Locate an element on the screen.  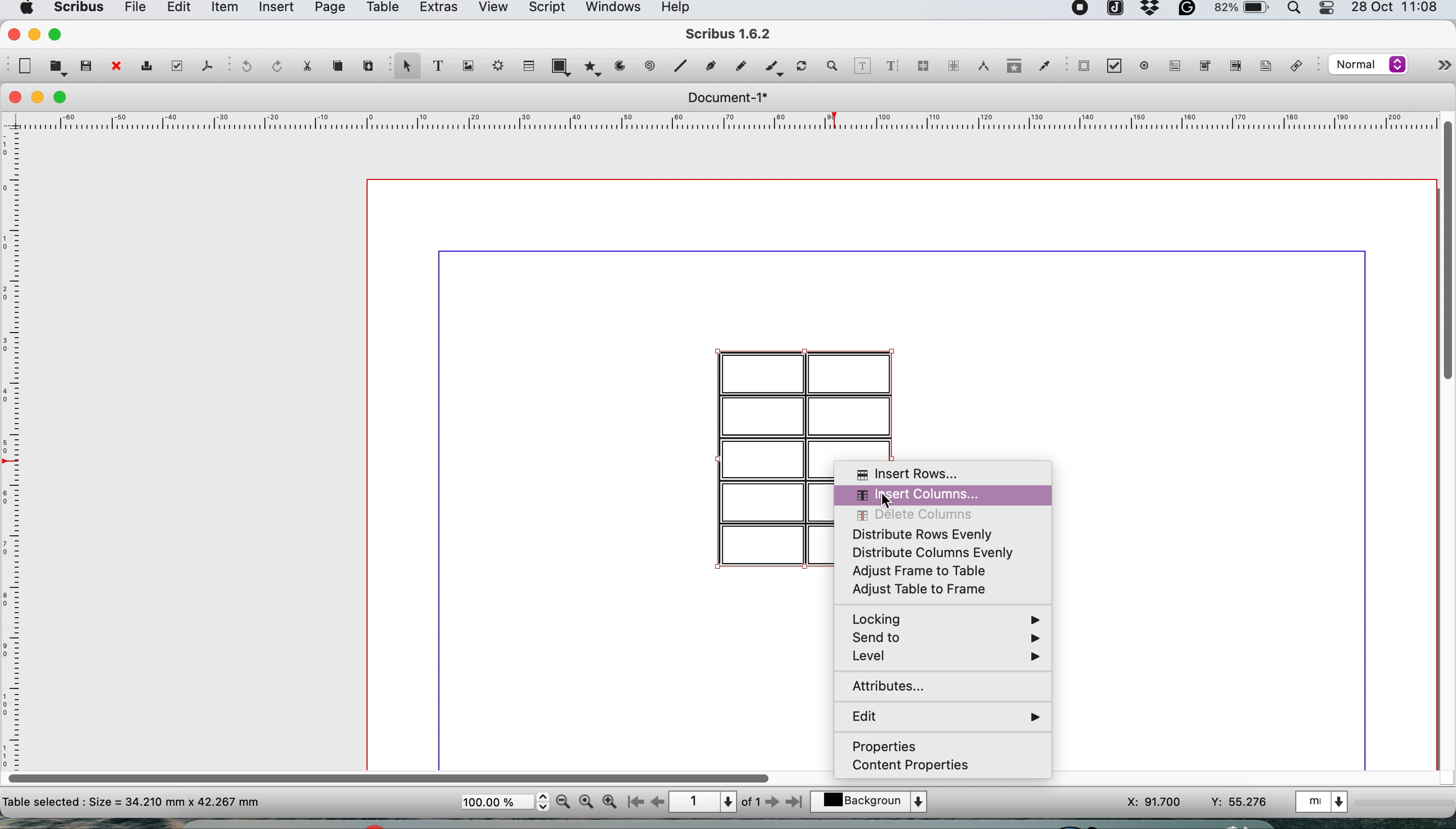
page 1 of 1 is located at coordinates (714, 802).